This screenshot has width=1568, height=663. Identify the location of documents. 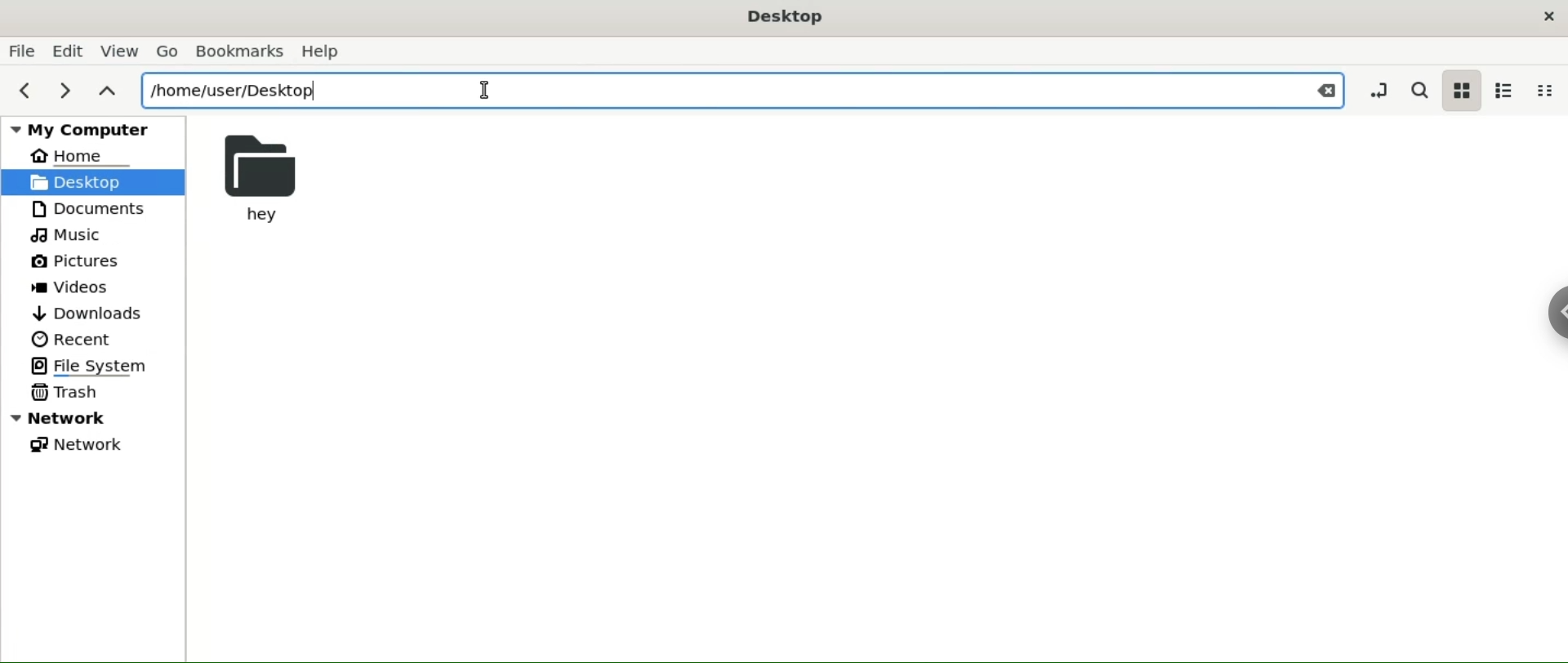
(98, 209).